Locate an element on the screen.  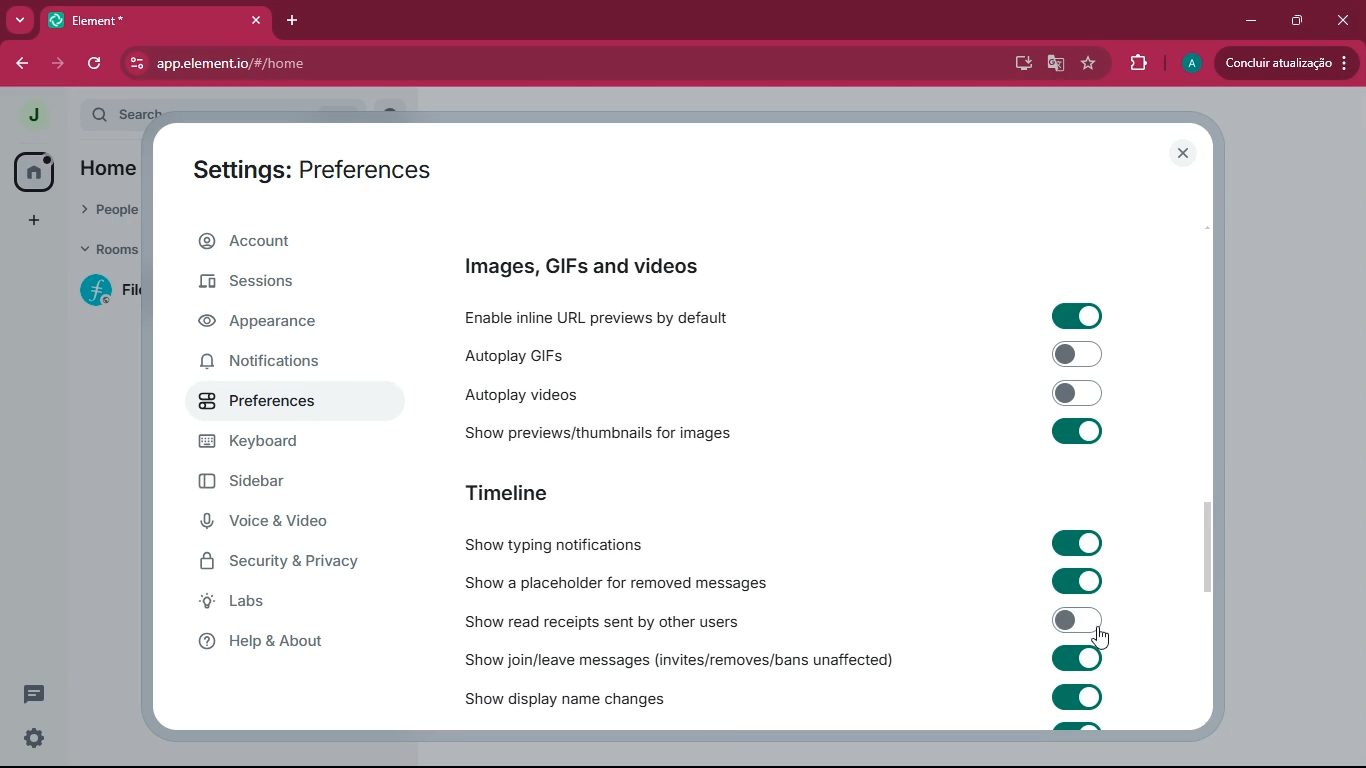
more is located at coordinates (20, 22).